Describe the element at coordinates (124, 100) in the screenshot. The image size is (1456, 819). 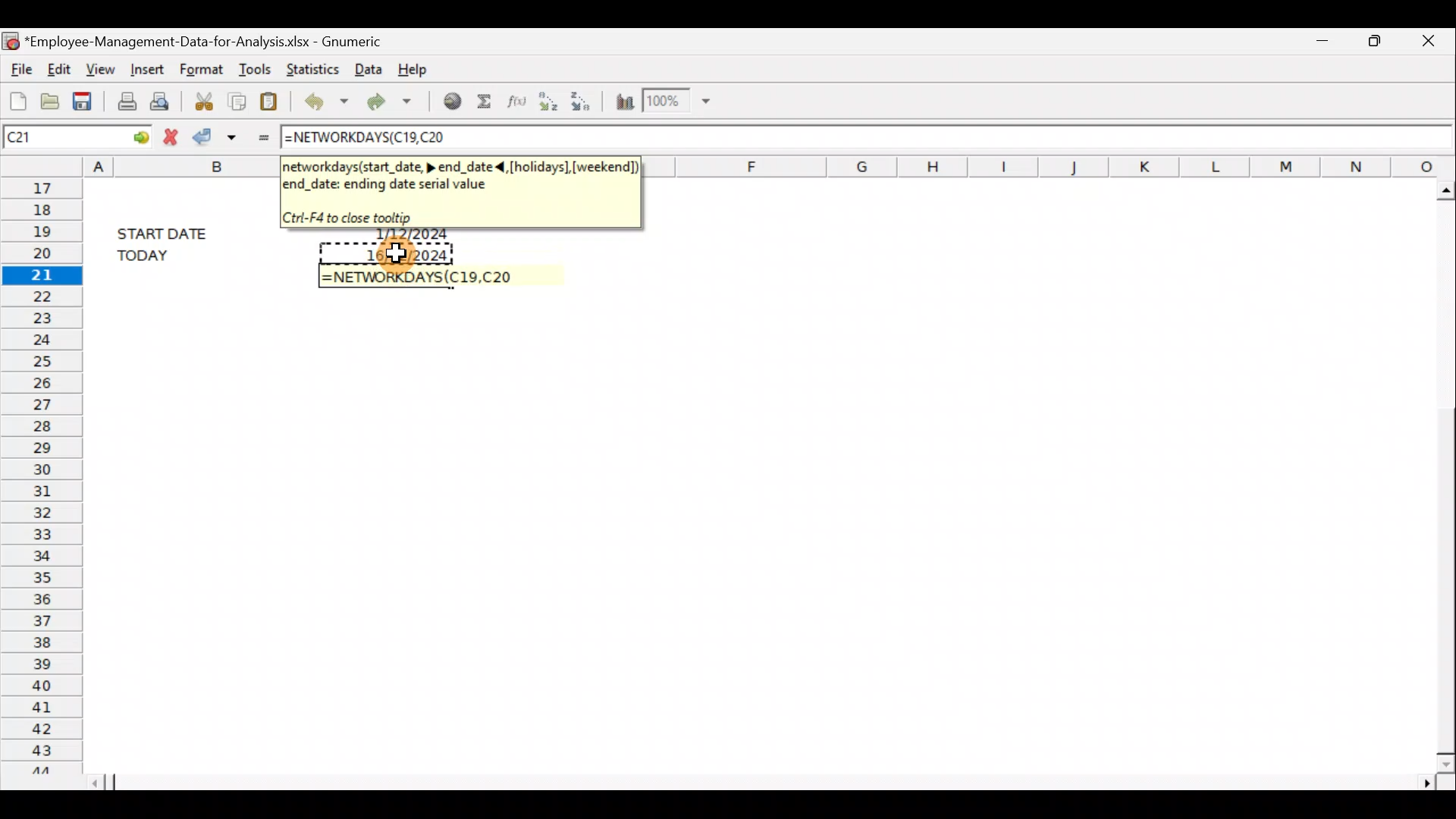
I see `Print current file` at that location.